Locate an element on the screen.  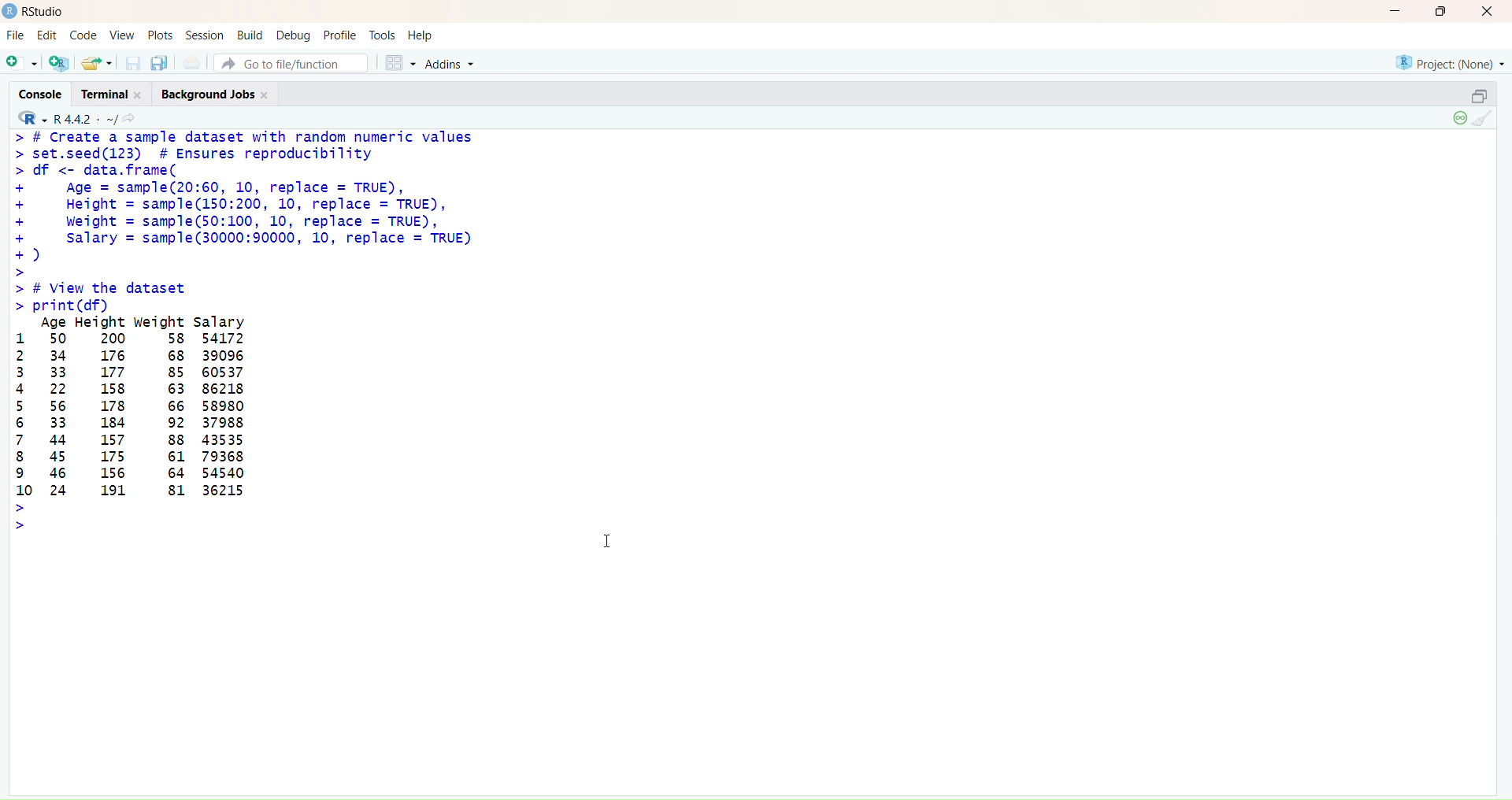
Maximize is located at coordinates (1441, 12).